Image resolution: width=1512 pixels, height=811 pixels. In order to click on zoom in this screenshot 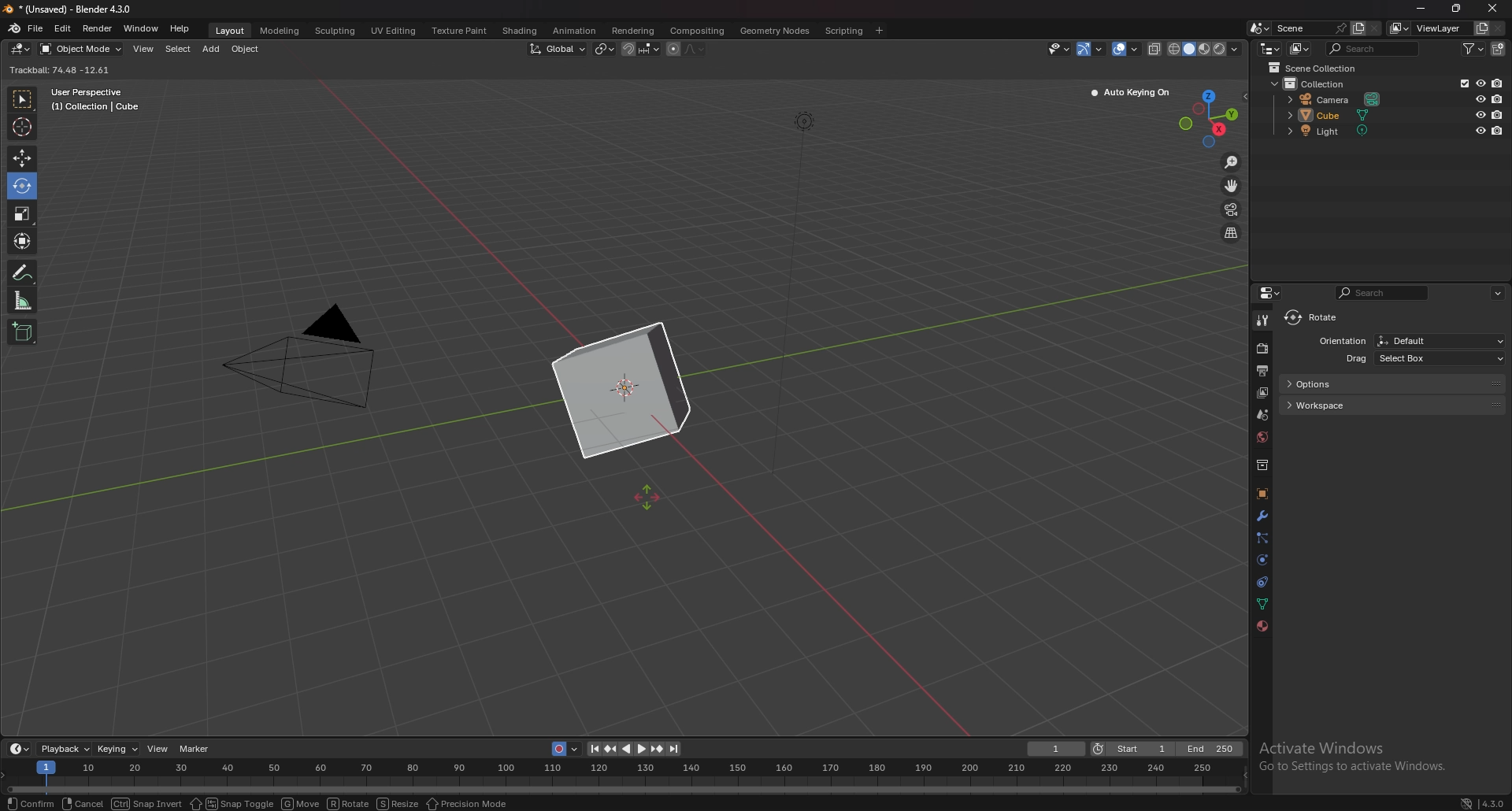, I will do `click(1232, 162)`.